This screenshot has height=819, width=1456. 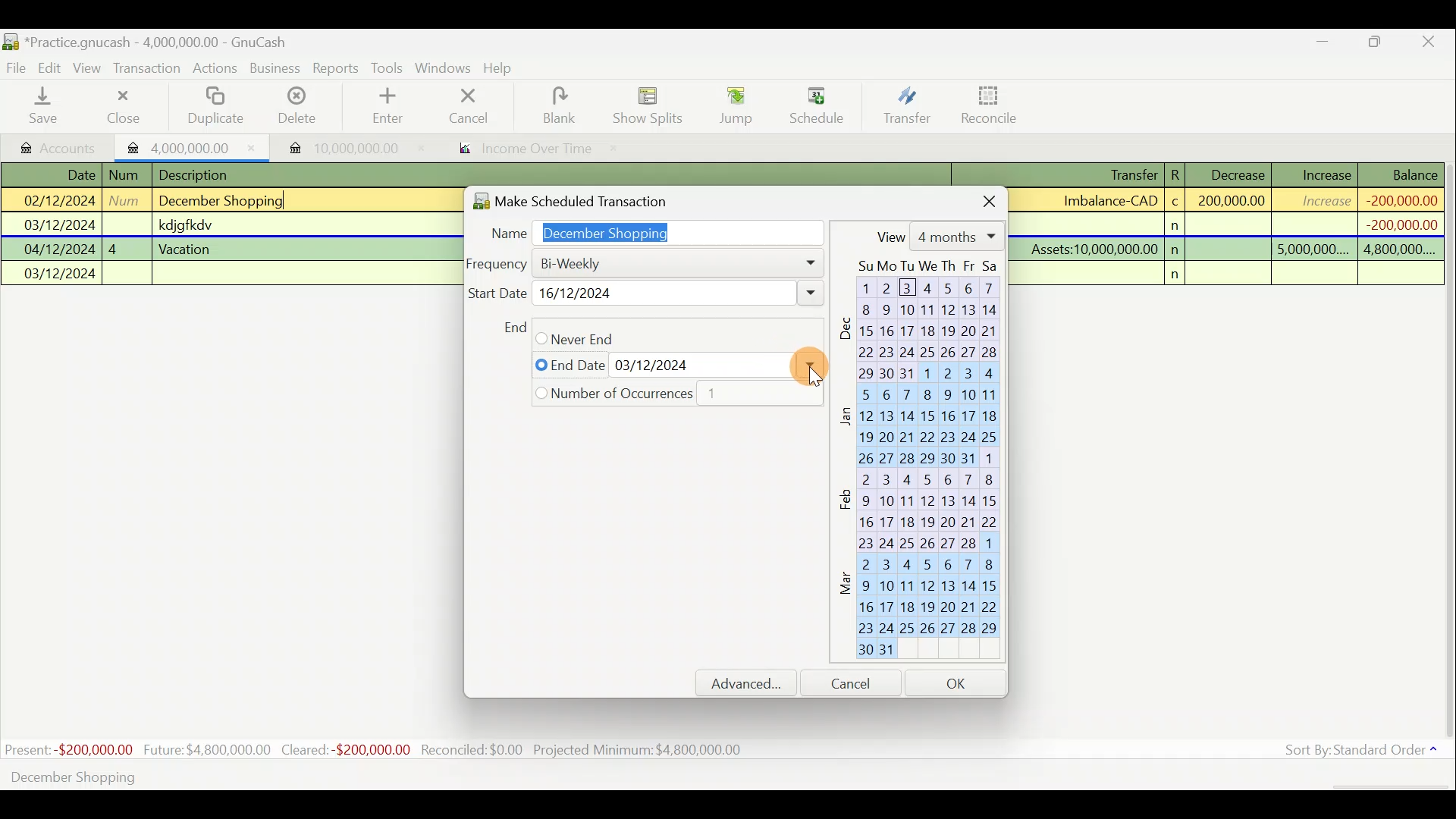 I want to click on File, so click(x=17, y=68).